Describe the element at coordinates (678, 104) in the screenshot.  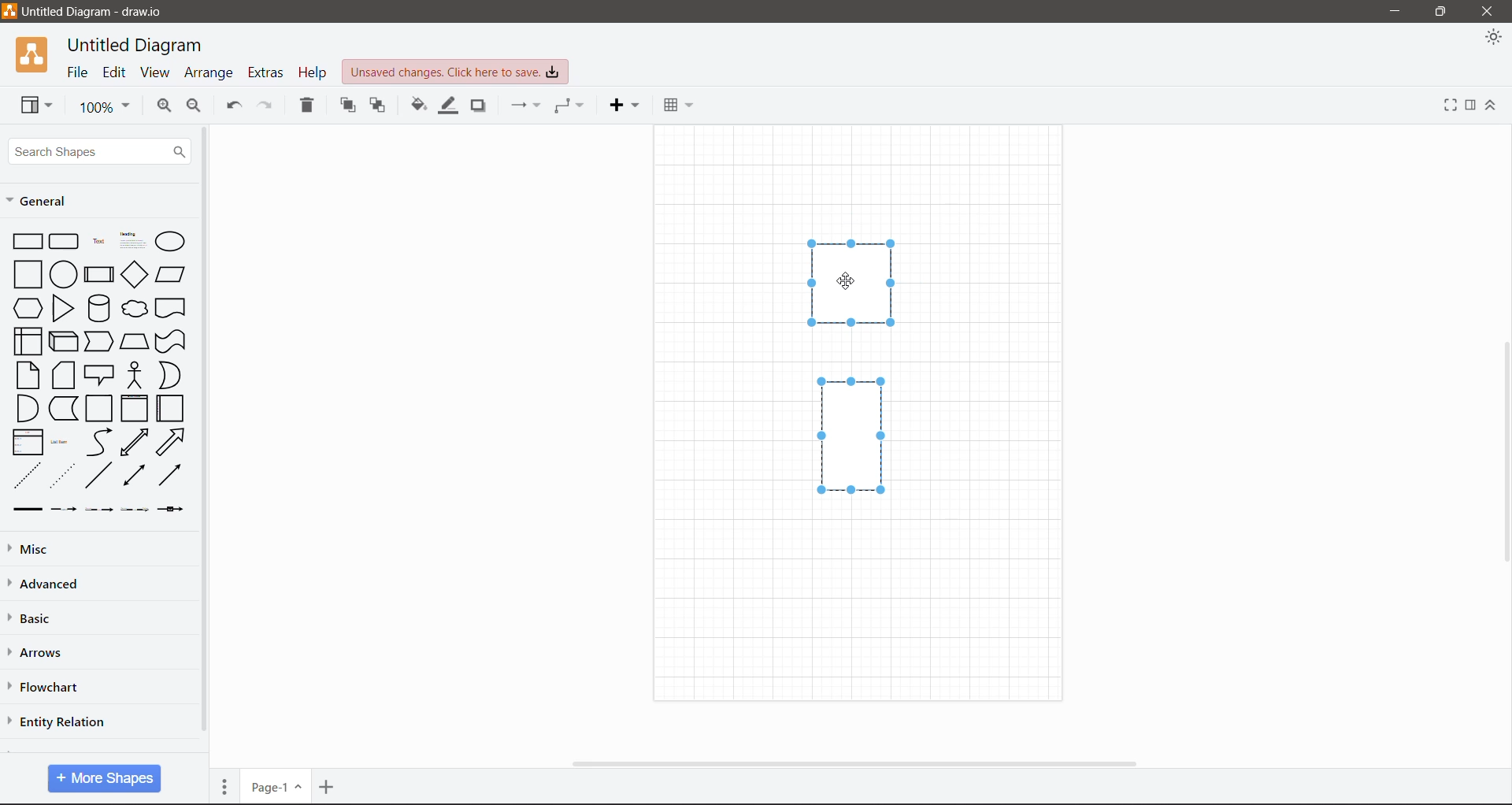
I see `Table` at that location.